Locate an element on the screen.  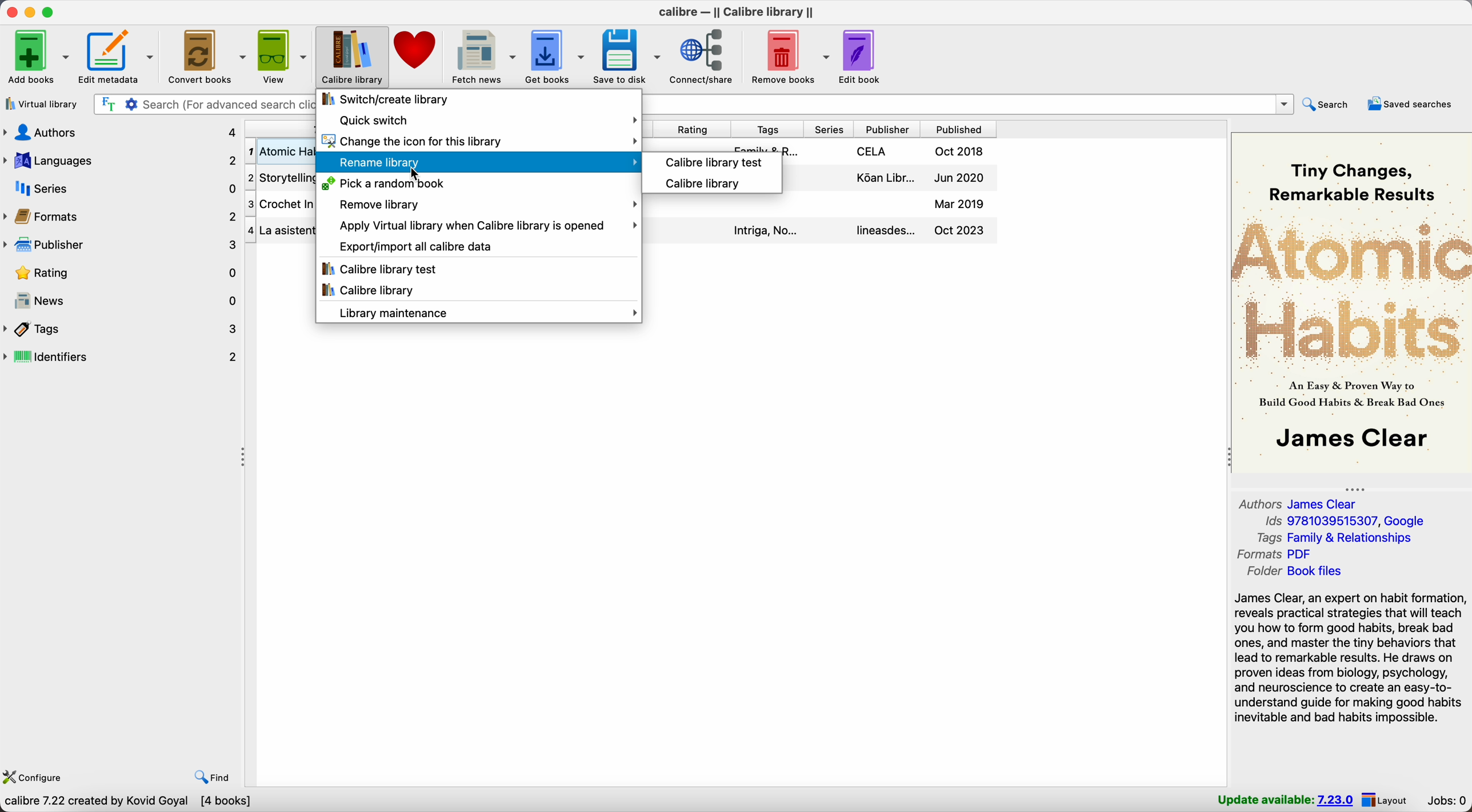
La Asistenta details book is located at coordinates (821, 231).